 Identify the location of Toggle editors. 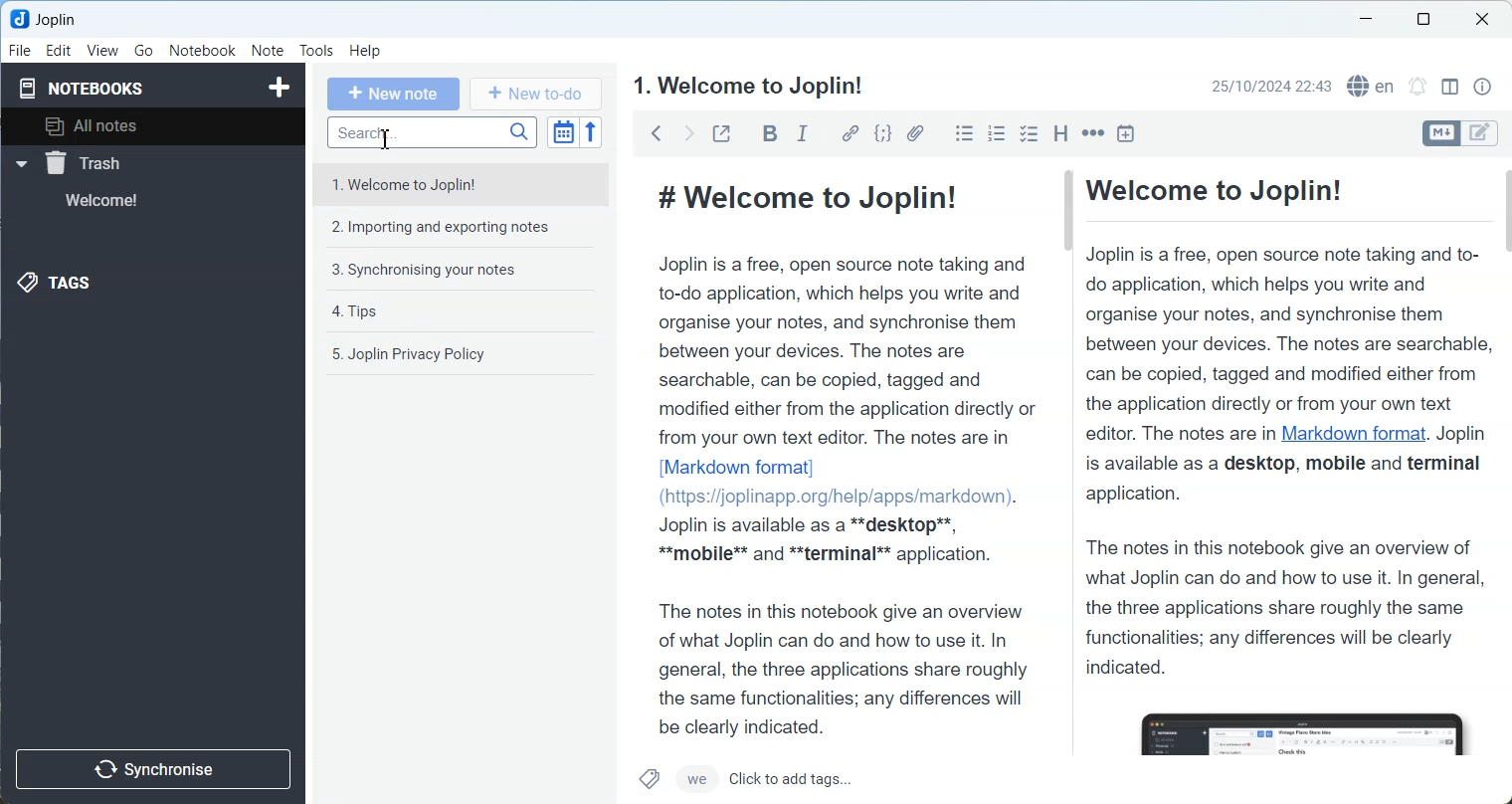
(1440, 133).